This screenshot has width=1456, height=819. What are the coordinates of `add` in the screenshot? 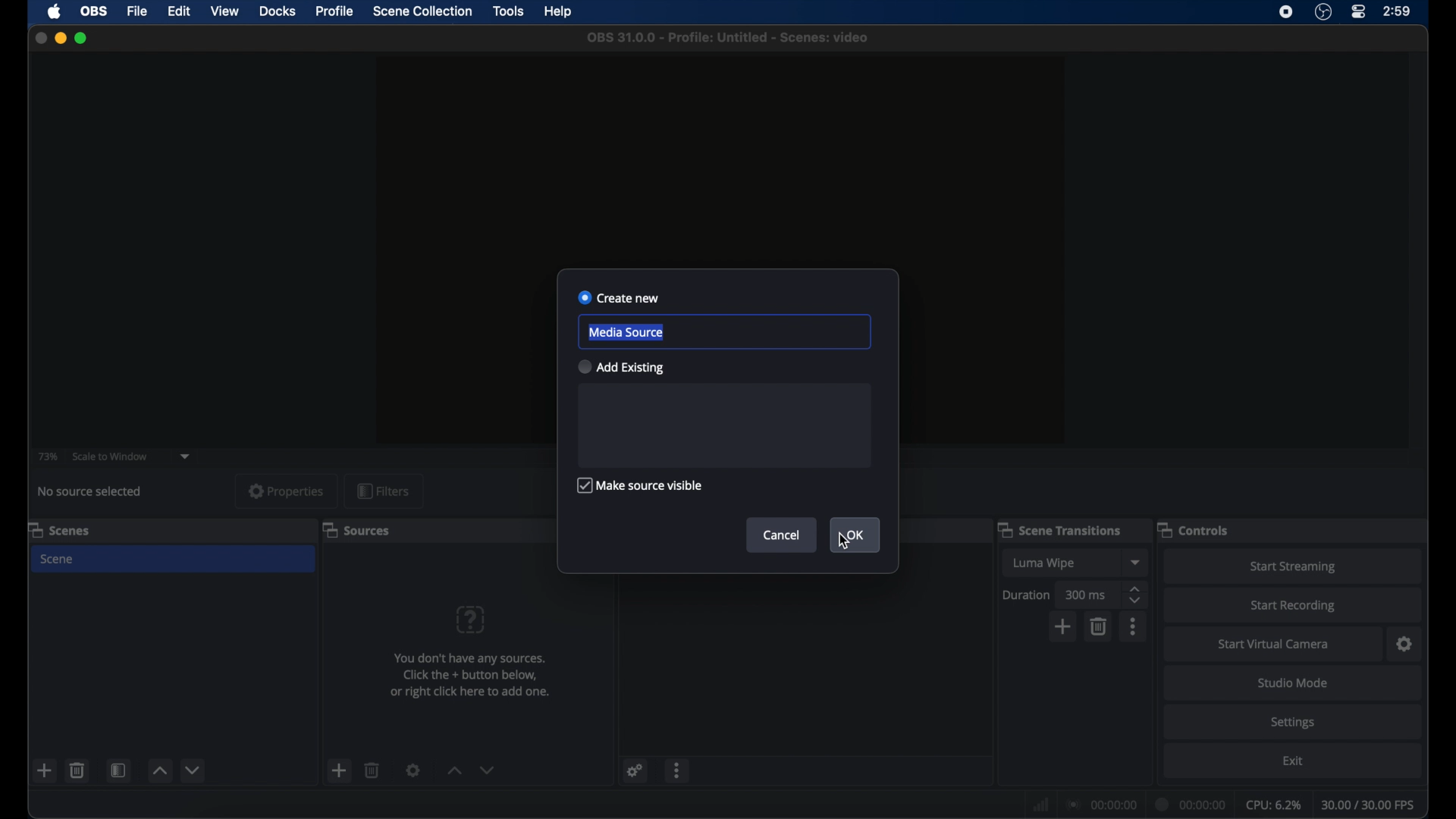 It's located at (1063, 627).